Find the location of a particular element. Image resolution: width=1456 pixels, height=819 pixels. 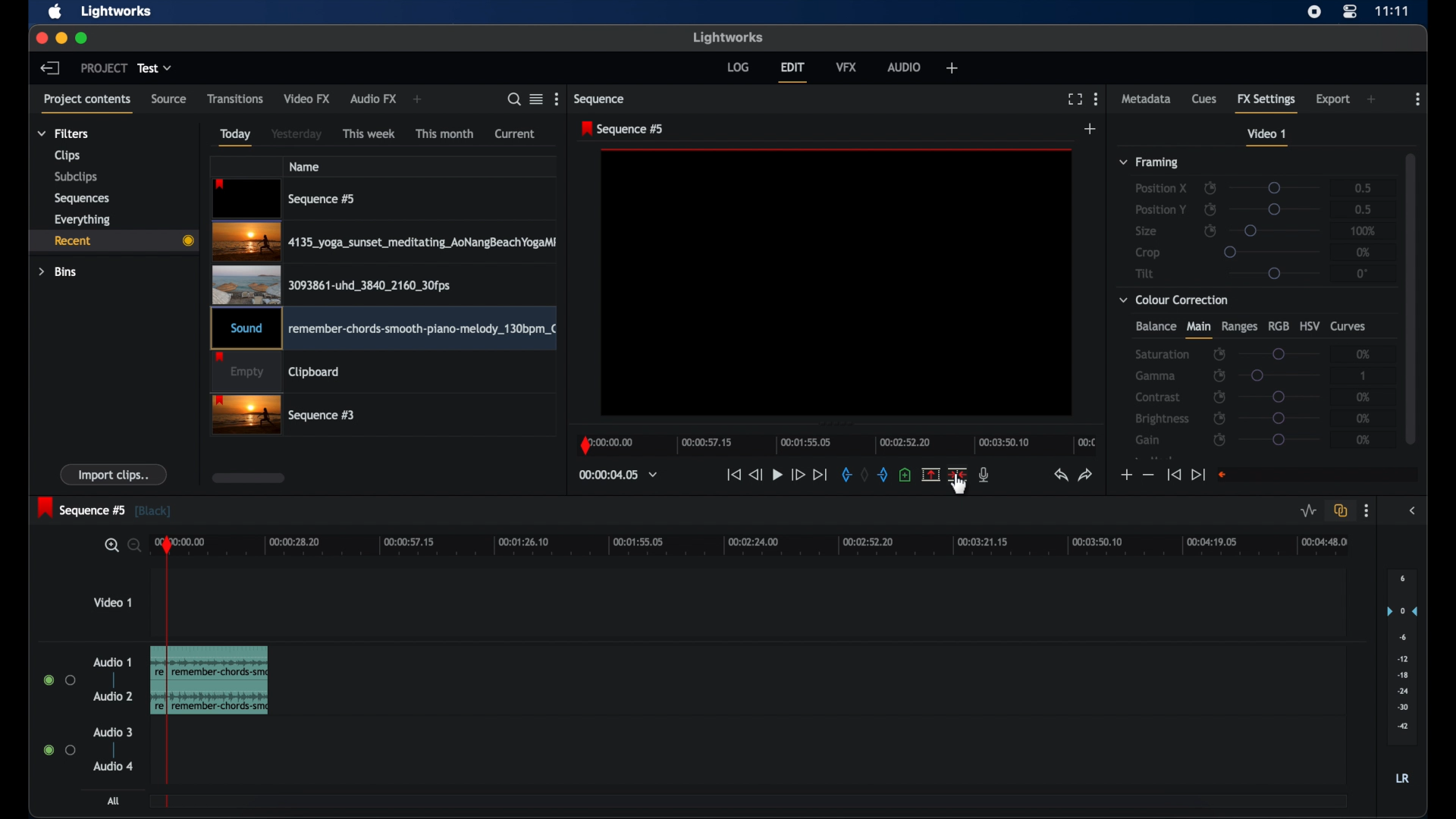

enable/disable keyframes is located at coordinates (1210, 187).